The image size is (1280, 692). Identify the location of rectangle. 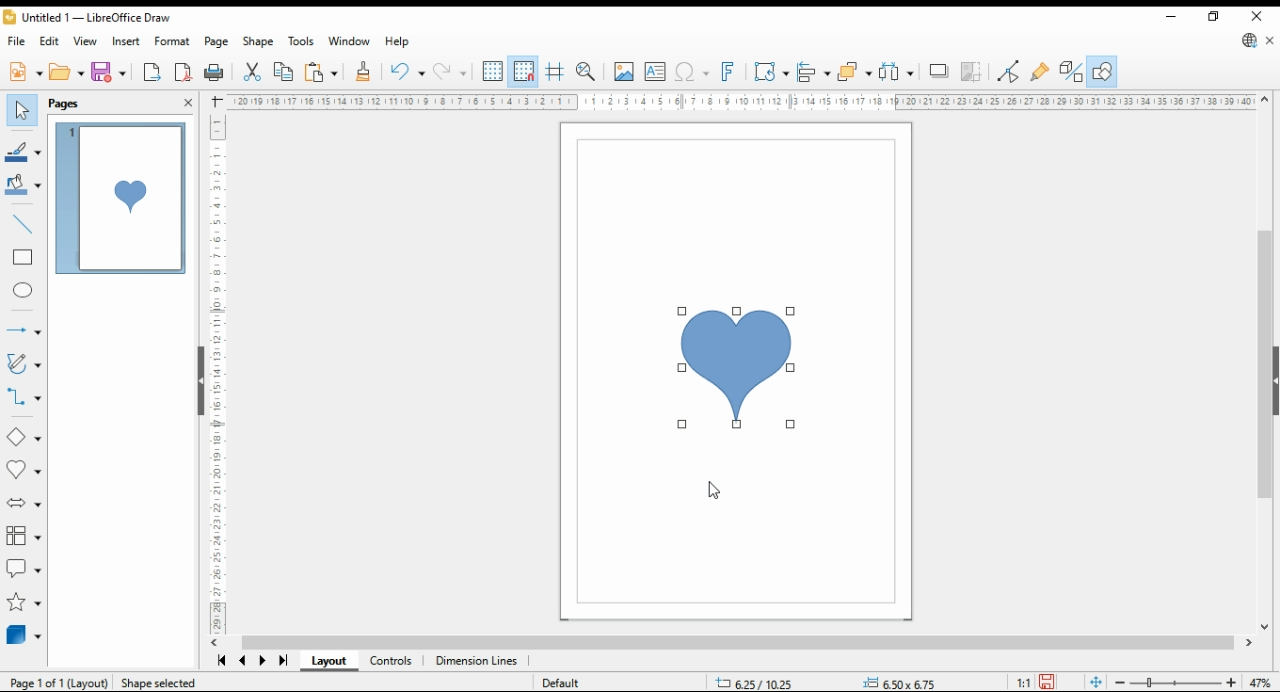
(24, 258).